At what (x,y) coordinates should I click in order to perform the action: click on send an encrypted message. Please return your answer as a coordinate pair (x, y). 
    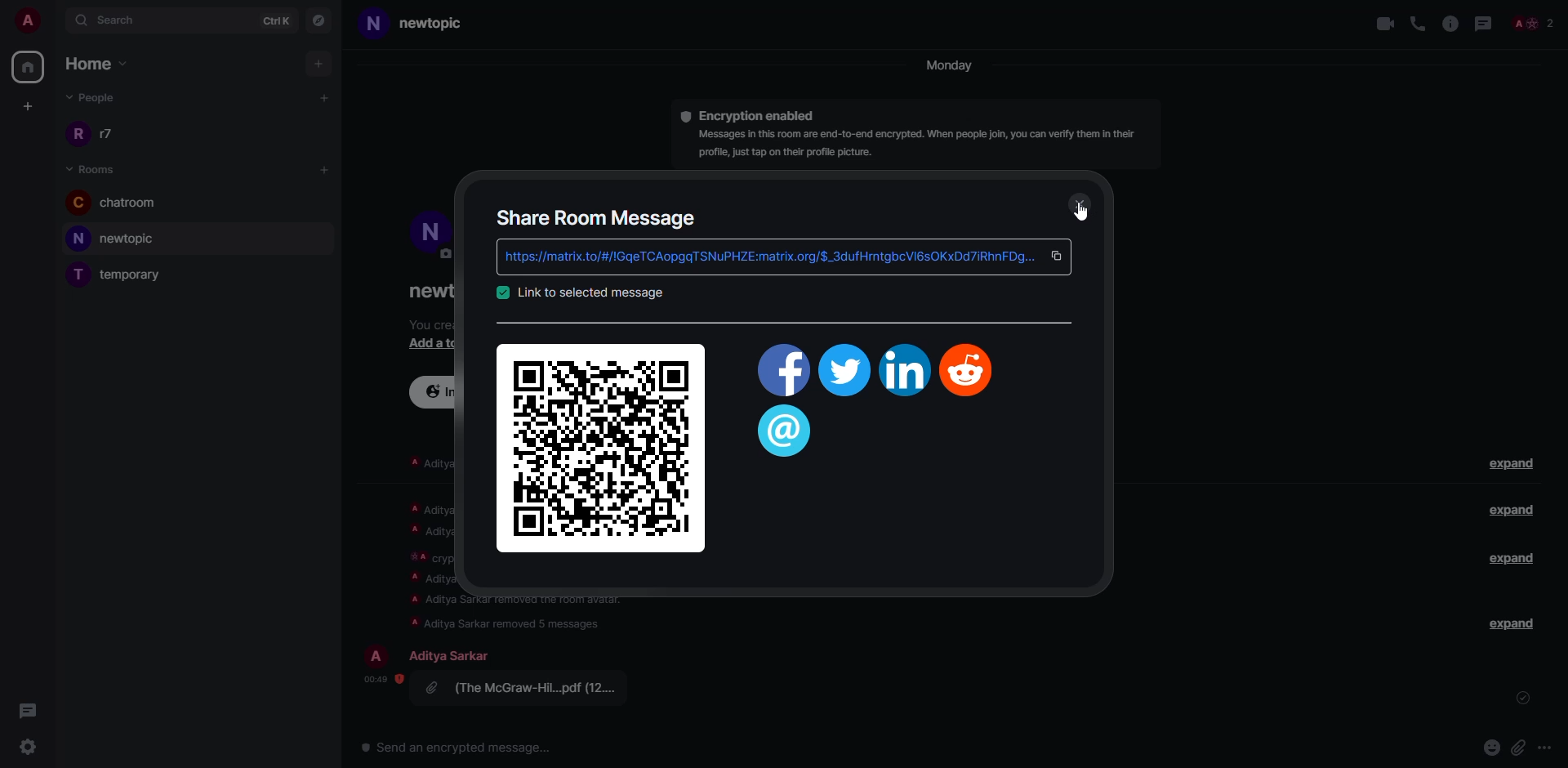
    Looking at the image, I should click on (458, 749).